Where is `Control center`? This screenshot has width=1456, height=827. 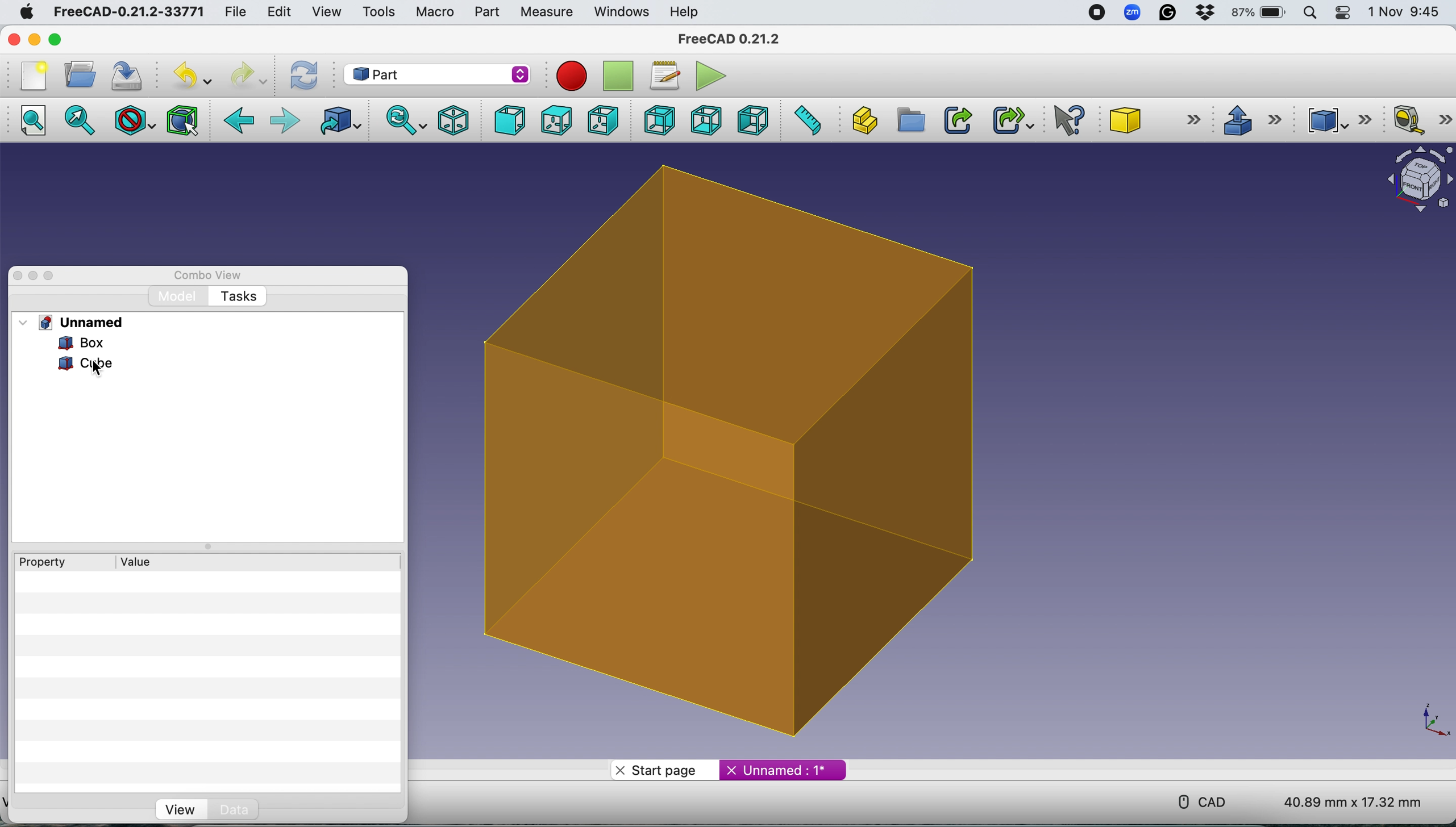
Control center is located at coordinates (1345, 13).